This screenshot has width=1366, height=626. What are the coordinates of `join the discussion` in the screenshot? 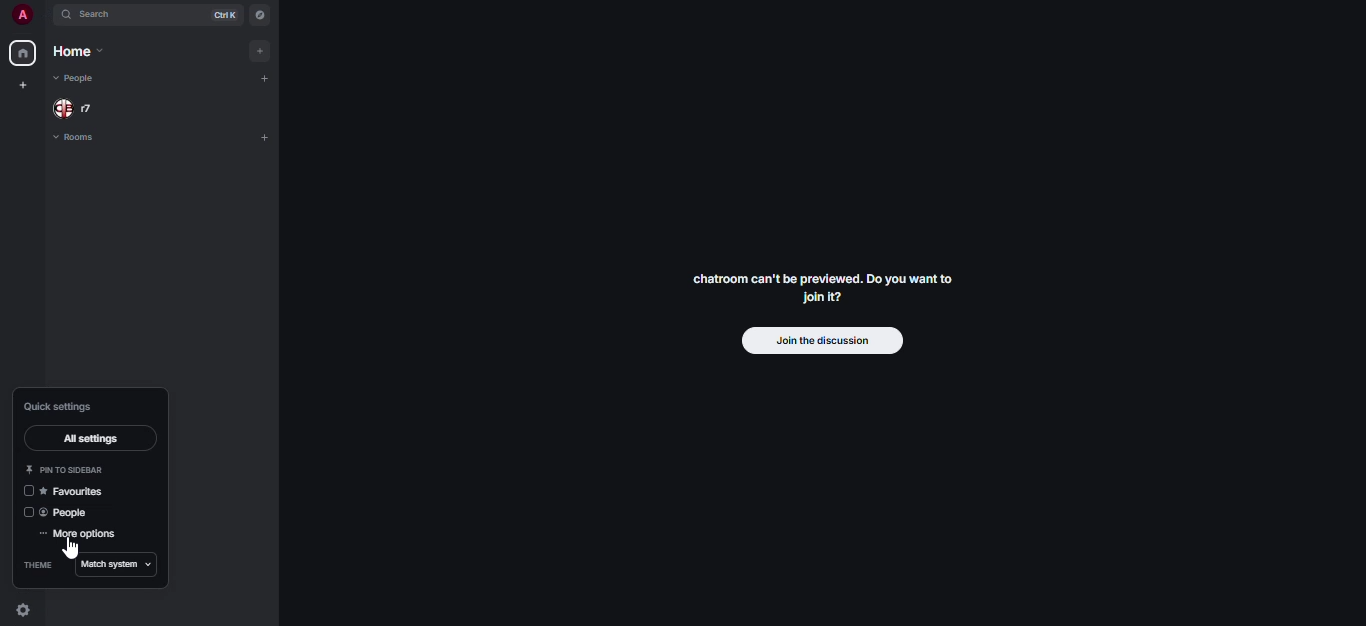 It's located at (824, 341).